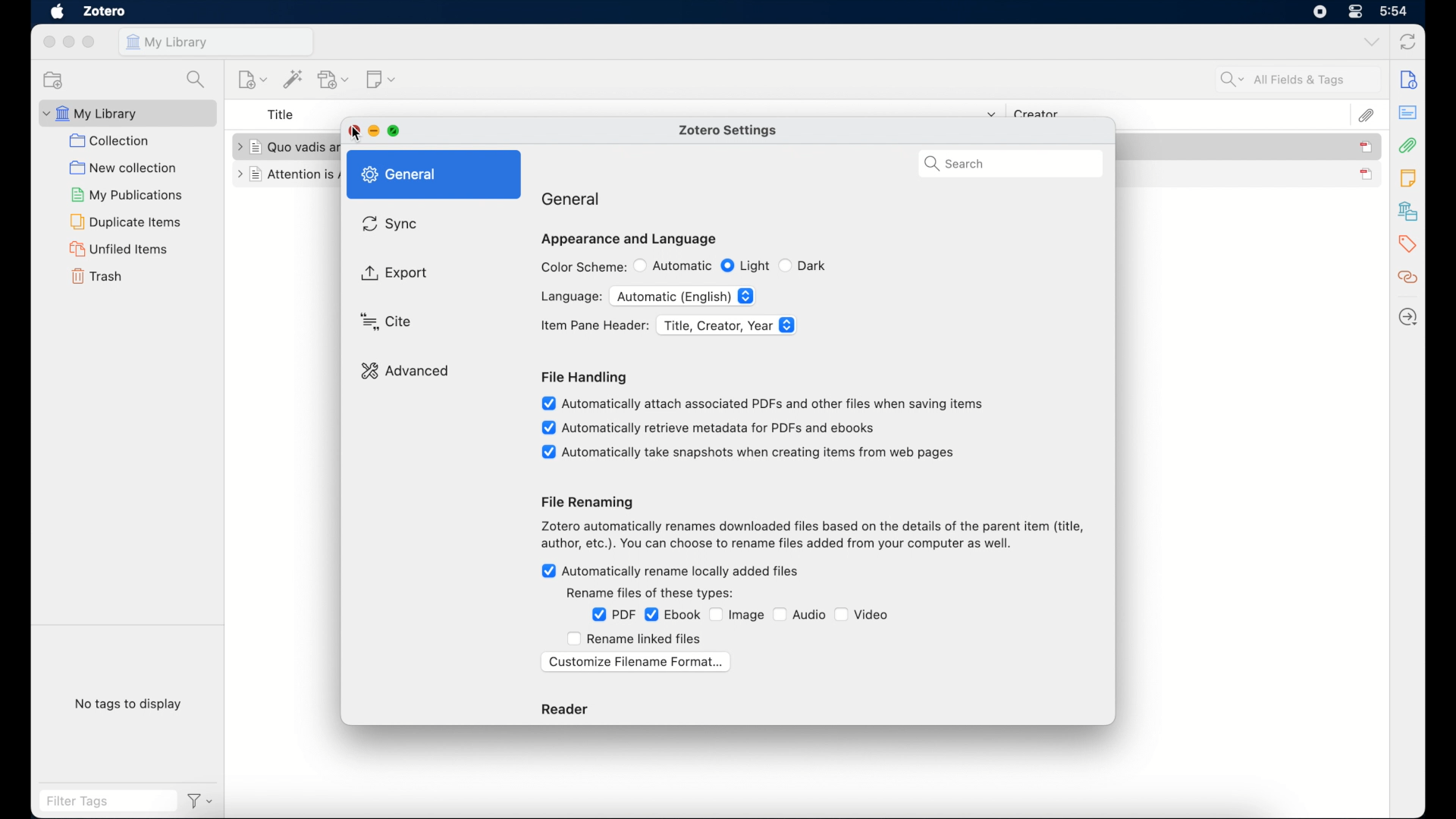 This screenshot has height=819, width=1456. I want to click on title, creator, year, so click(728, 325).